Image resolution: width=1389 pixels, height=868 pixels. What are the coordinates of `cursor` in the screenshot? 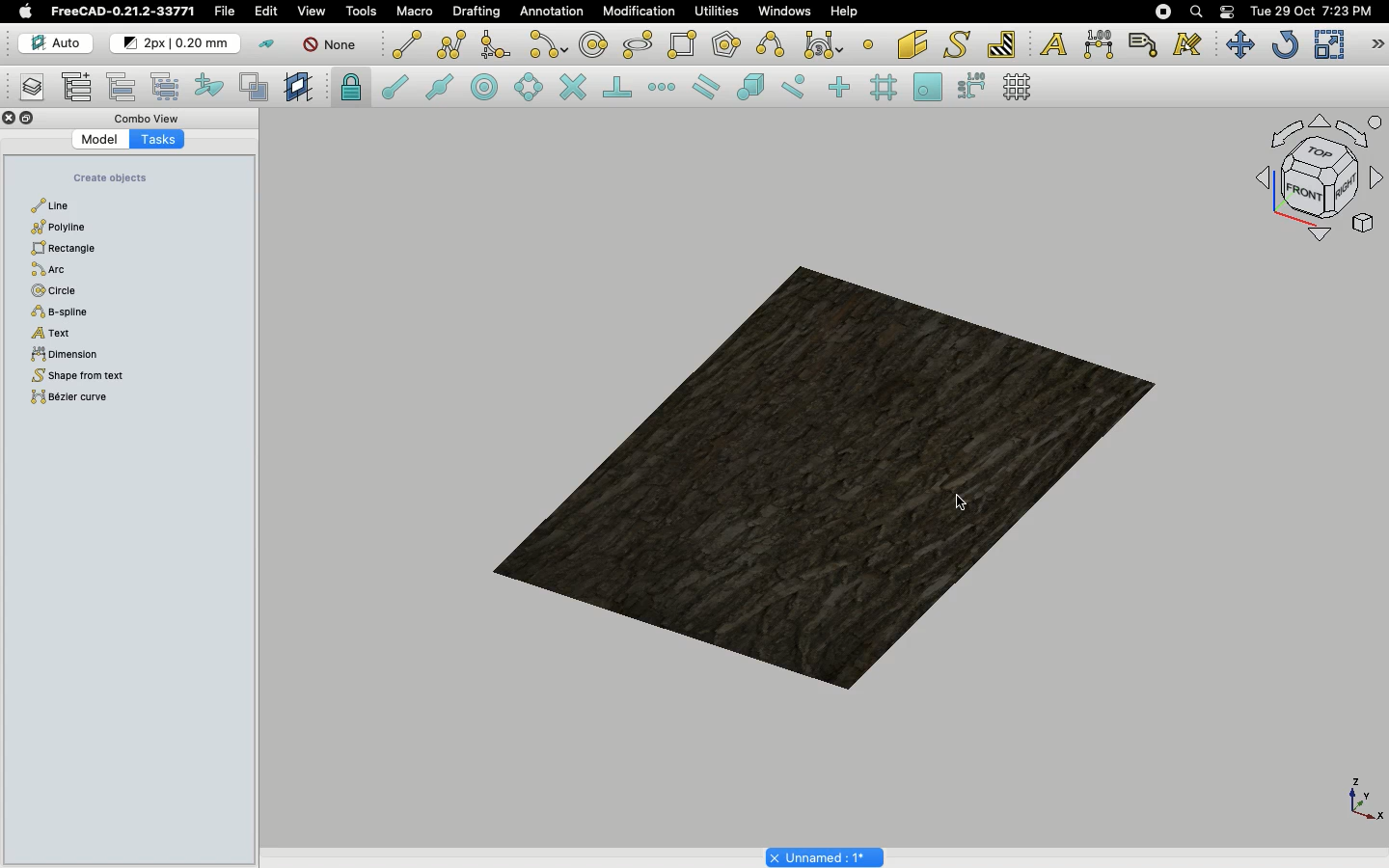 It's located at (958, 503).